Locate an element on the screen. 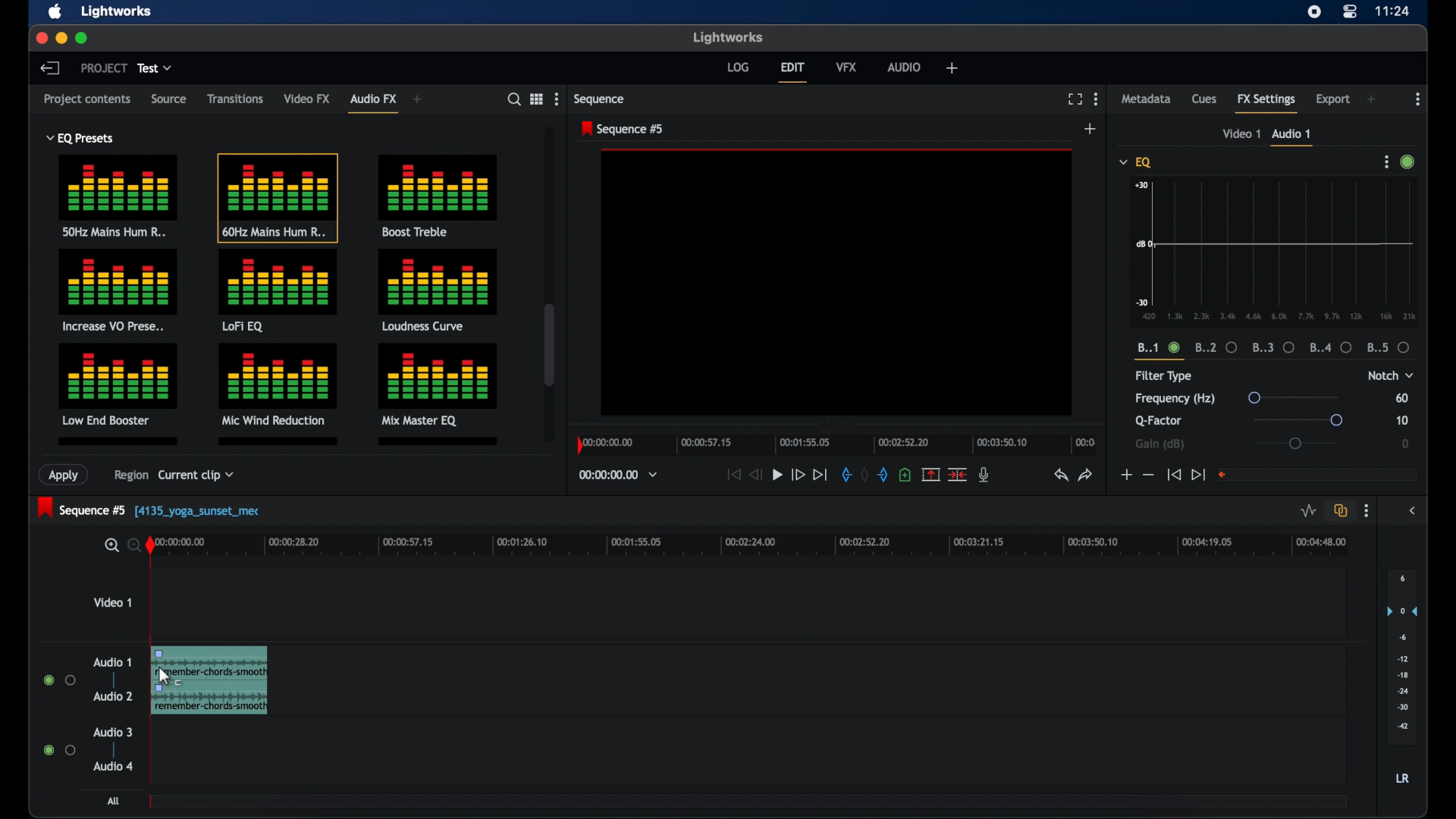 This screenshot has width=1456, height=819. sequence is located at coordinates (622, 129).